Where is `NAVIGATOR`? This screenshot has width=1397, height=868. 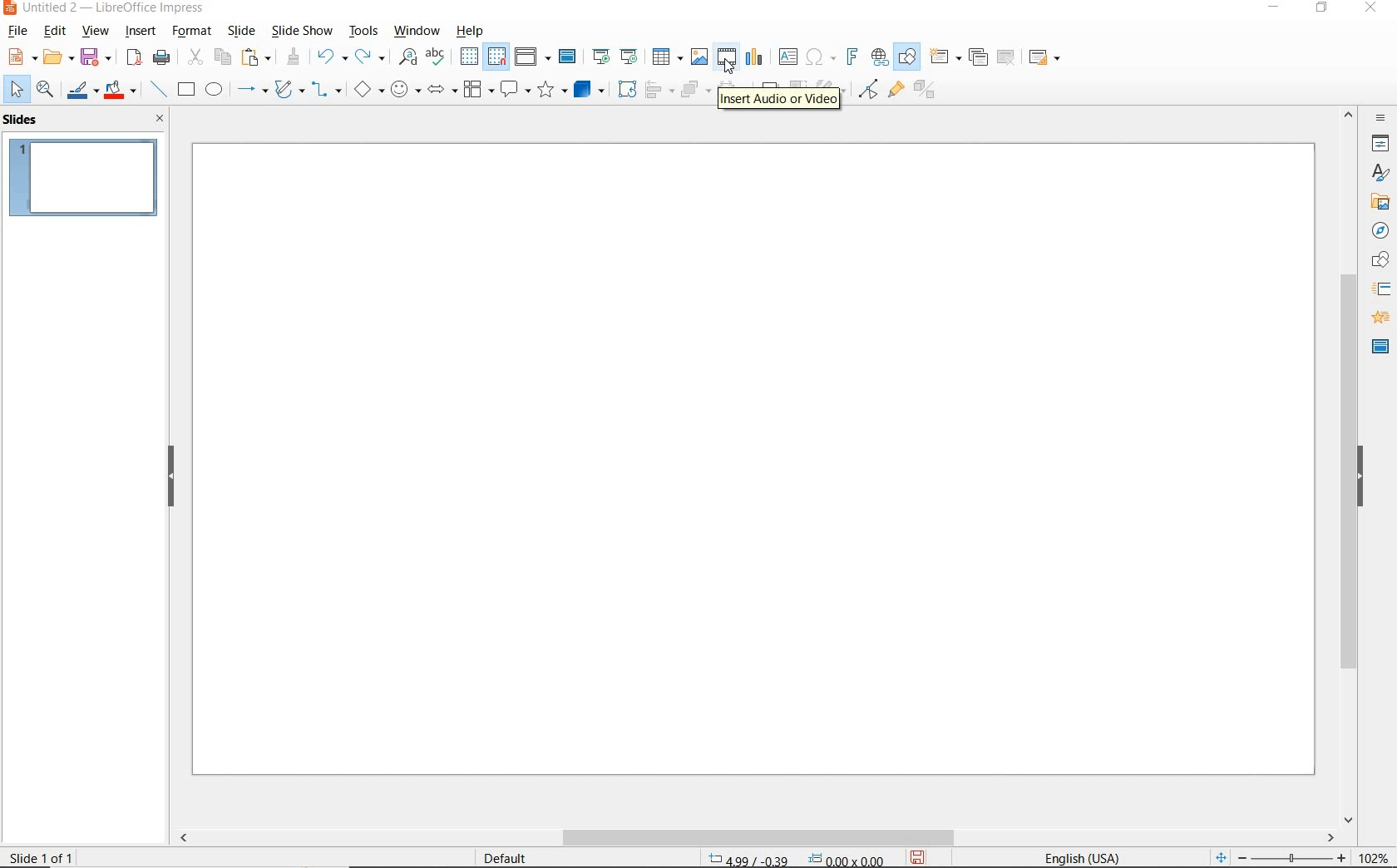 NAVIGATOR is located at coordinates (1380, 233).